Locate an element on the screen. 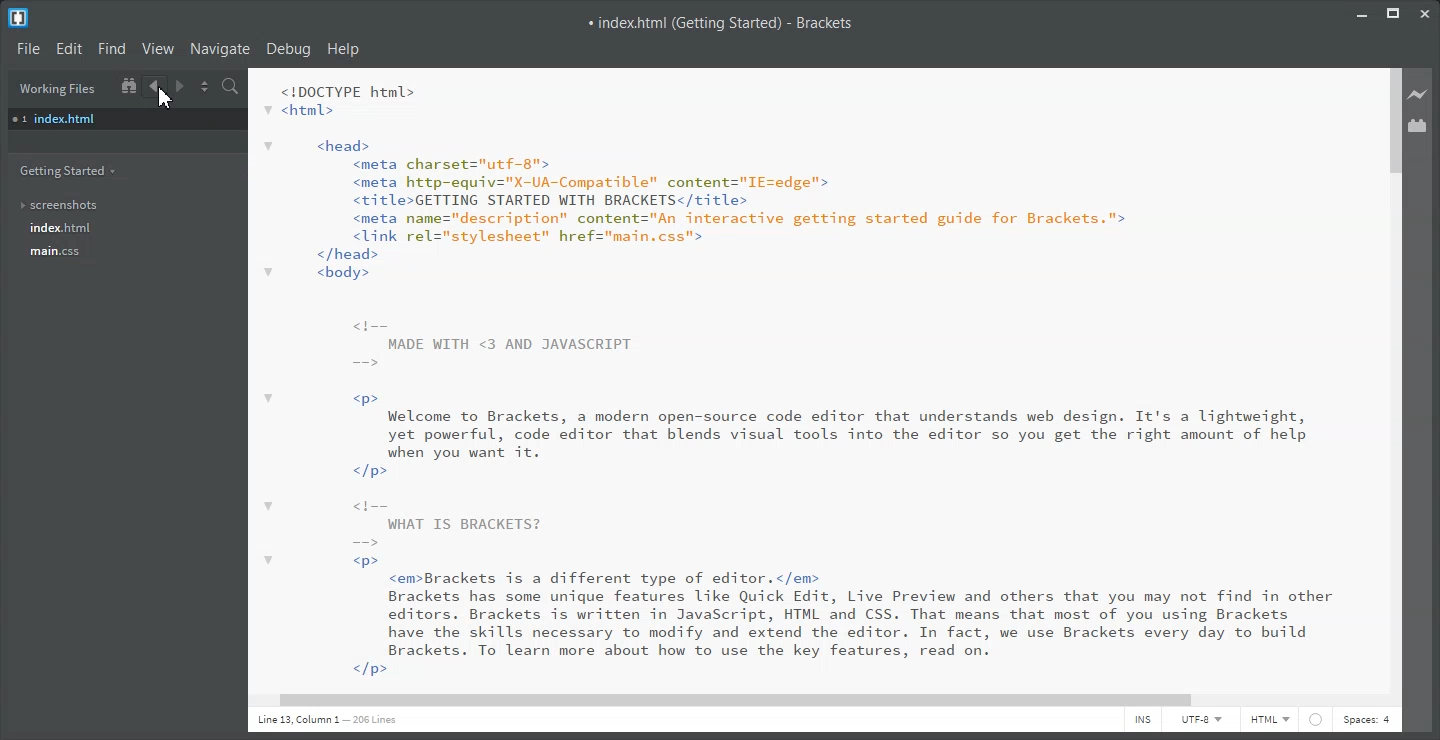 The image size is (1440, 740). Show in the file Tree is located at coordinates (127, 85).